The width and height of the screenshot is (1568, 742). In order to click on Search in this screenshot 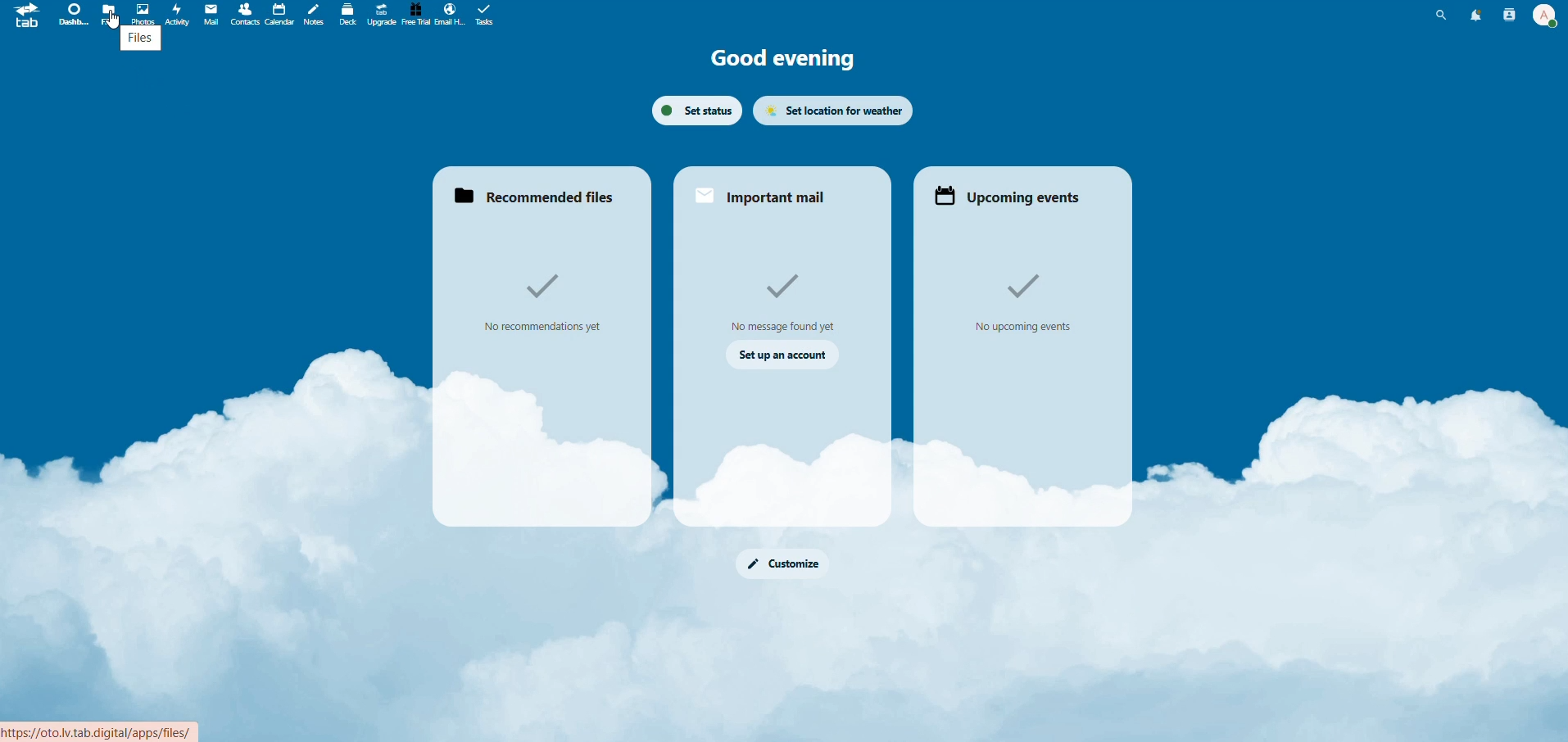, I will do `click(1443, 15)`.